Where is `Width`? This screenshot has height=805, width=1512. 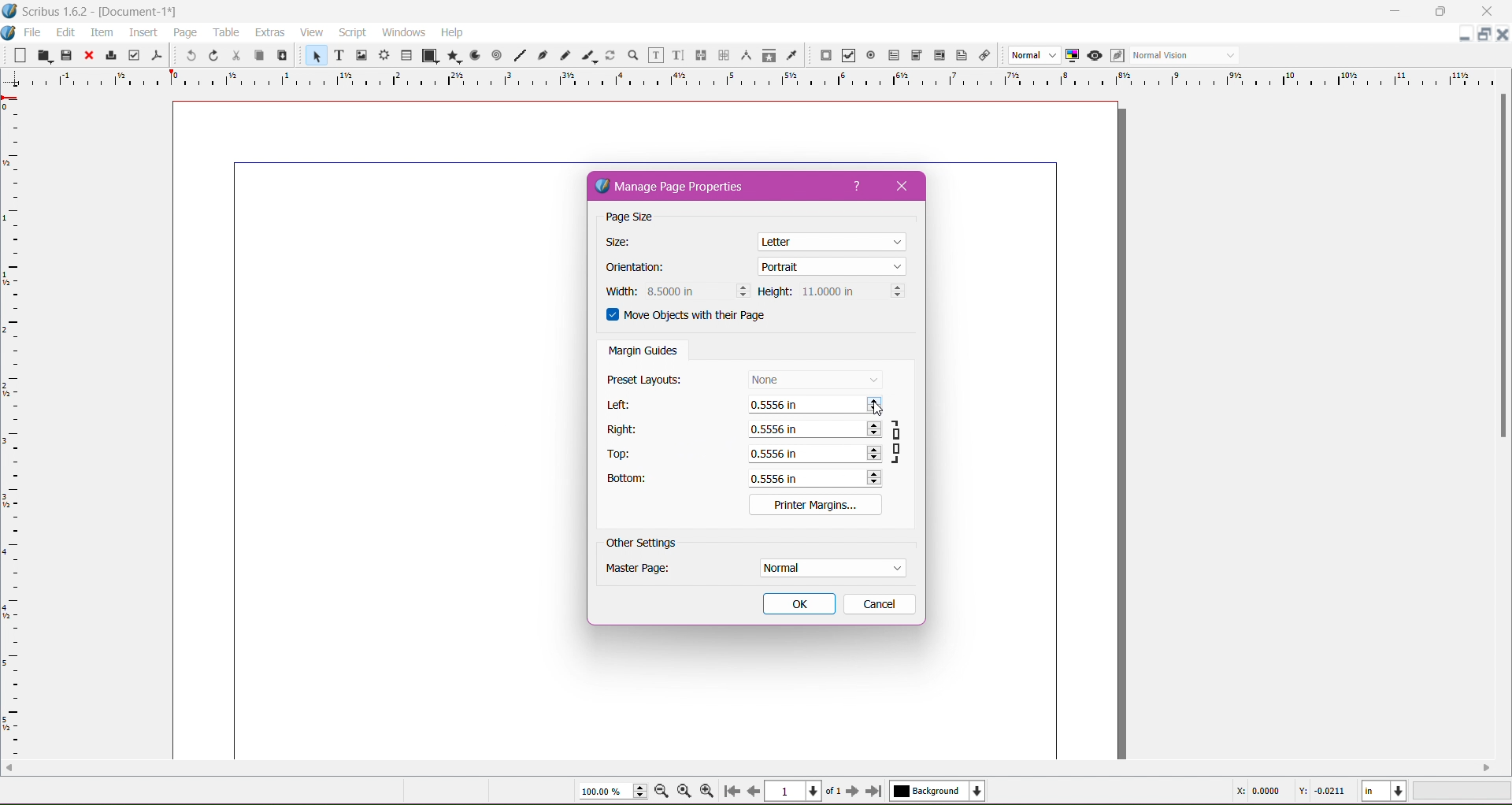
Width is located at coordinates (618, 291).